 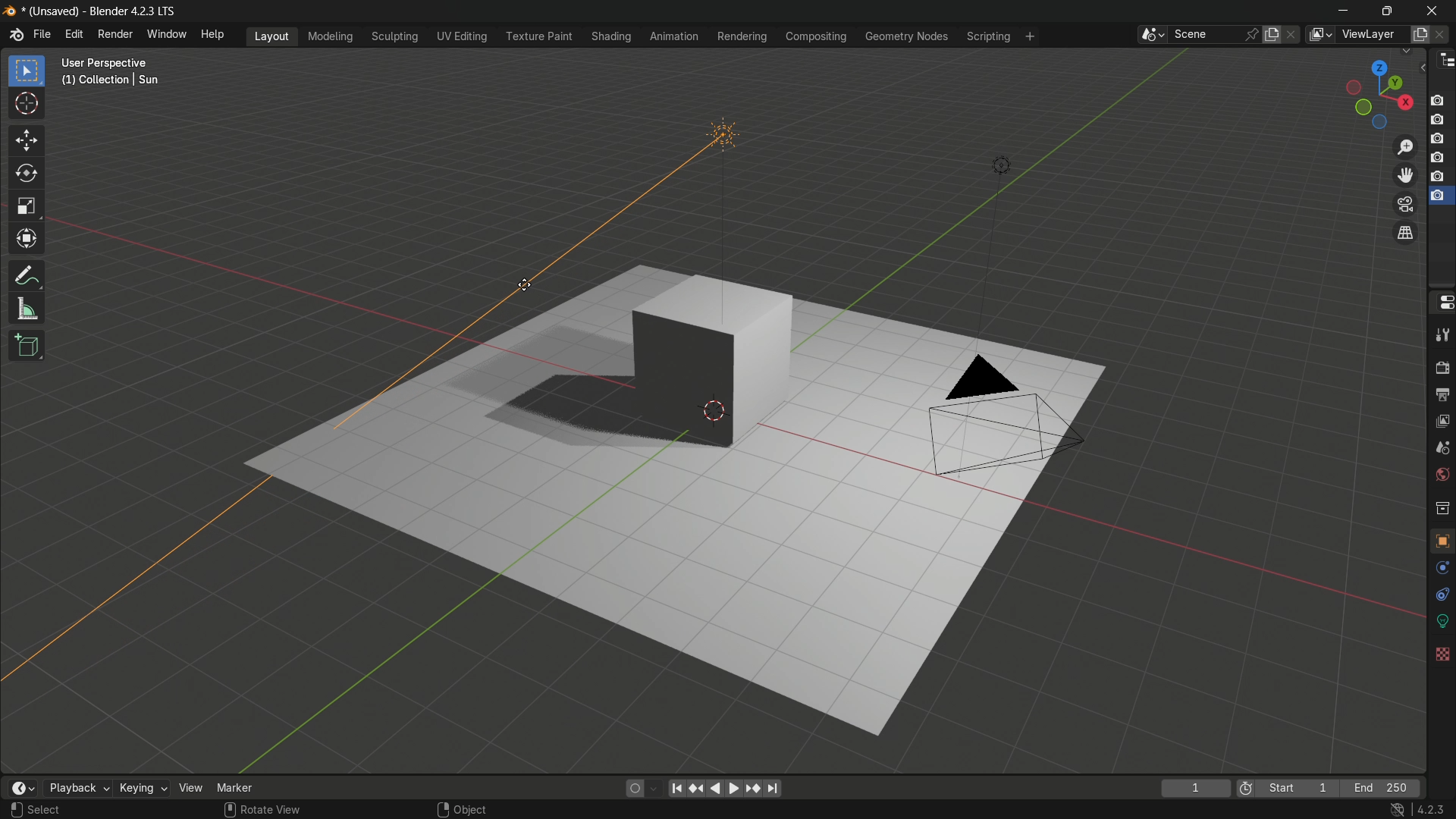 I want to click on edit menu, so click(x=74, y=33).